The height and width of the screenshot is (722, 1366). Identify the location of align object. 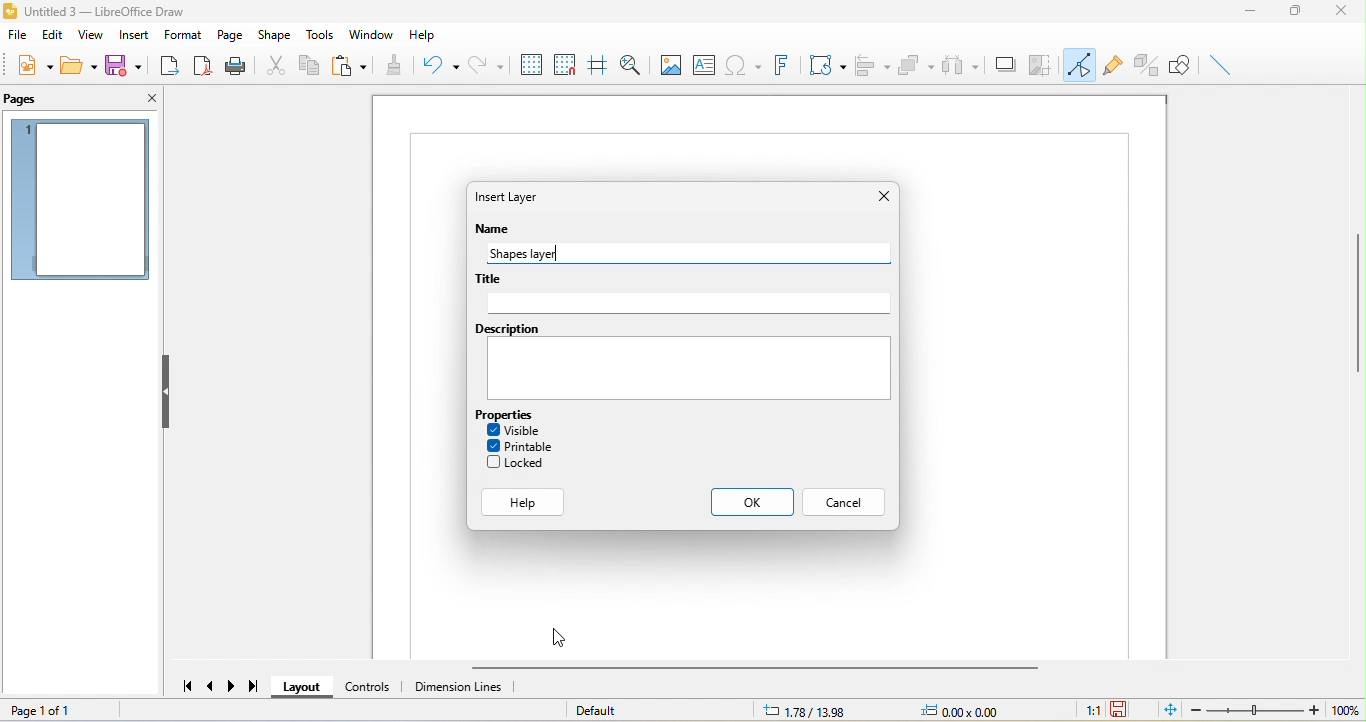
(876, 62).